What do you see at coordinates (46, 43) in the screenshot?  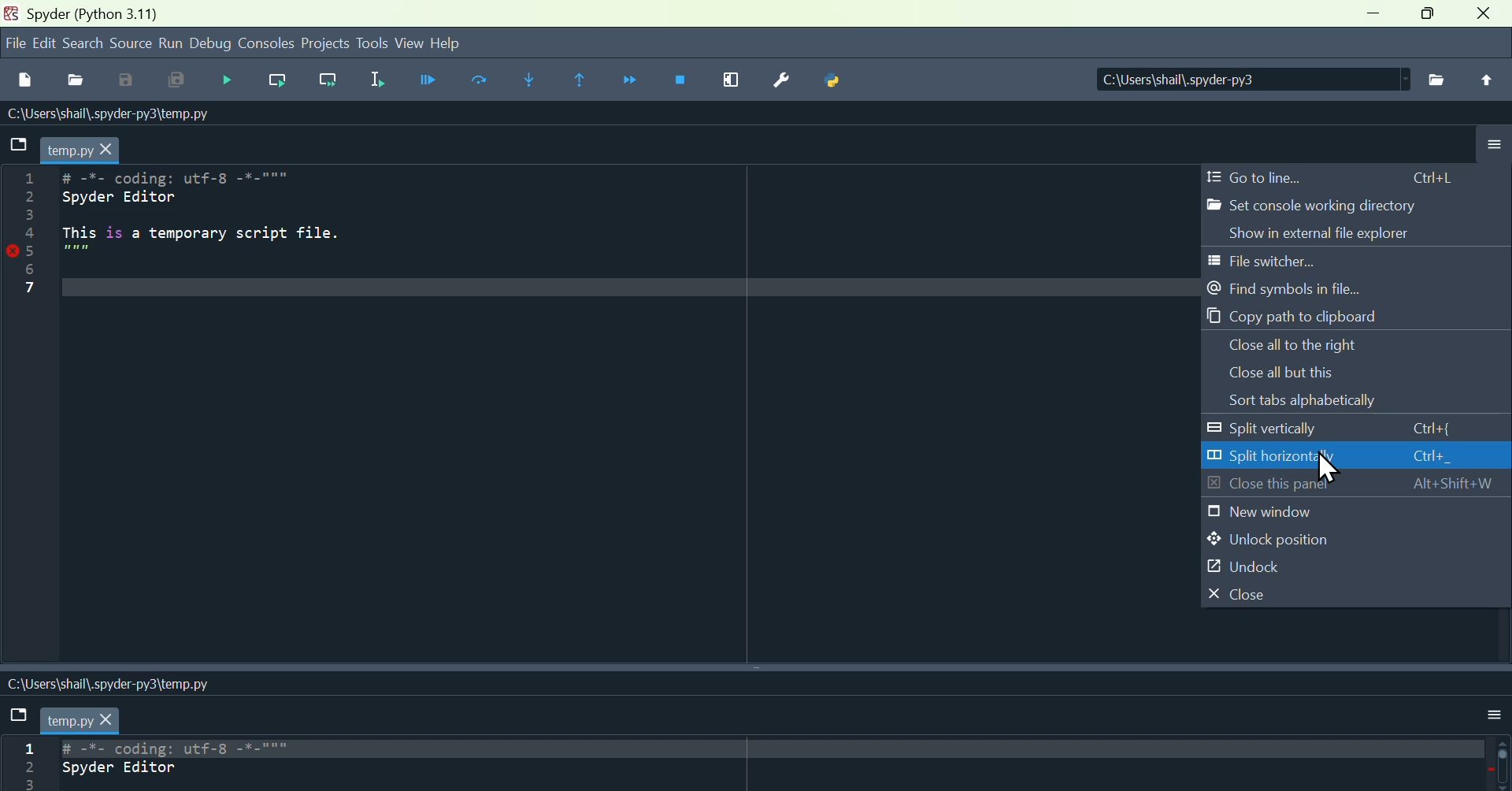 I see `` at bounding box center [46, 43].